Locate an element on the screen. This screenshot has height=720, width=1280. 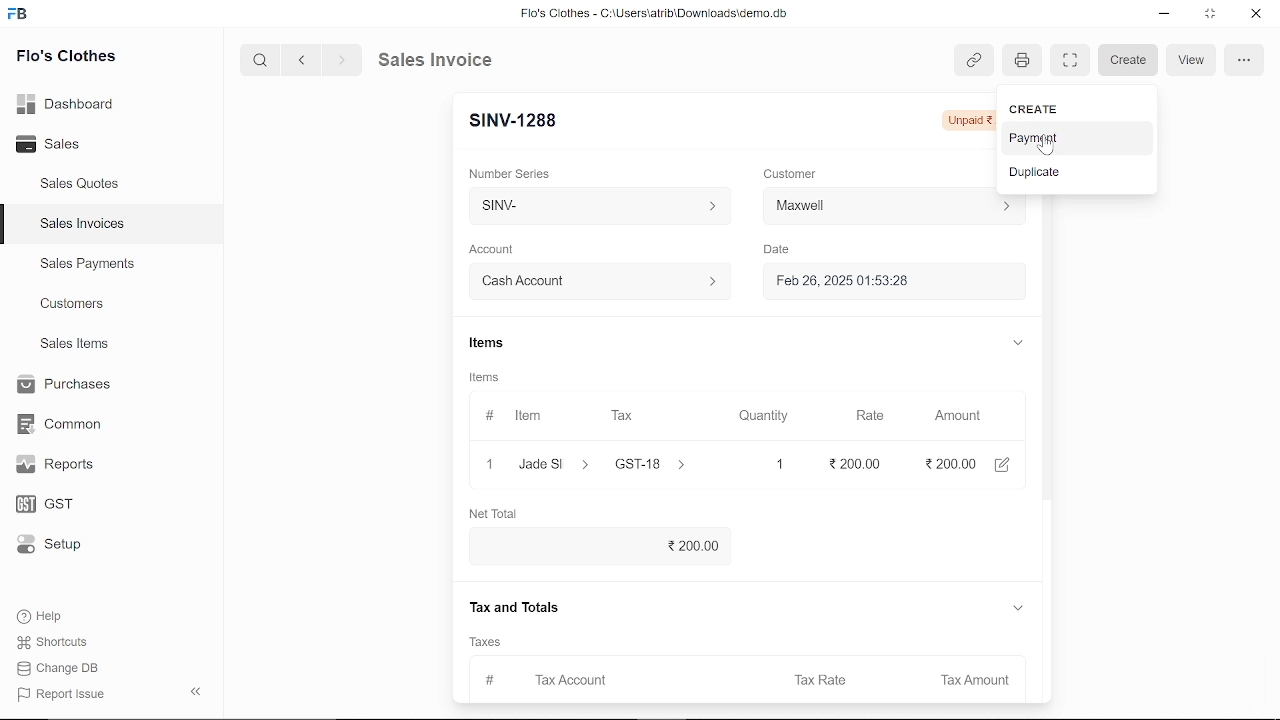
Setup is located at coordinates (63, 546).